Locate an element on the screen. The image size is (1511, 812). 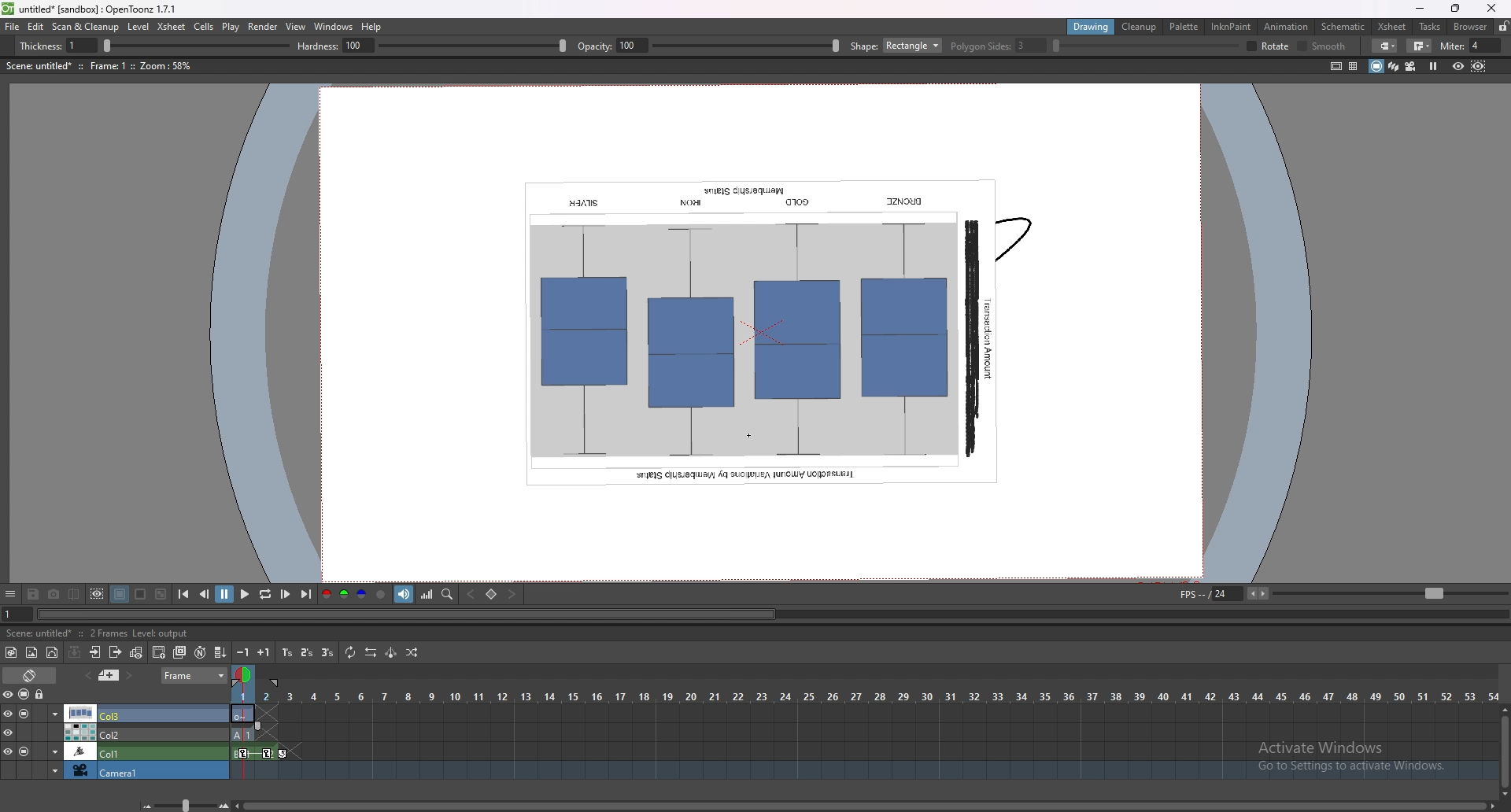
view is located at coordinates (296, 26).